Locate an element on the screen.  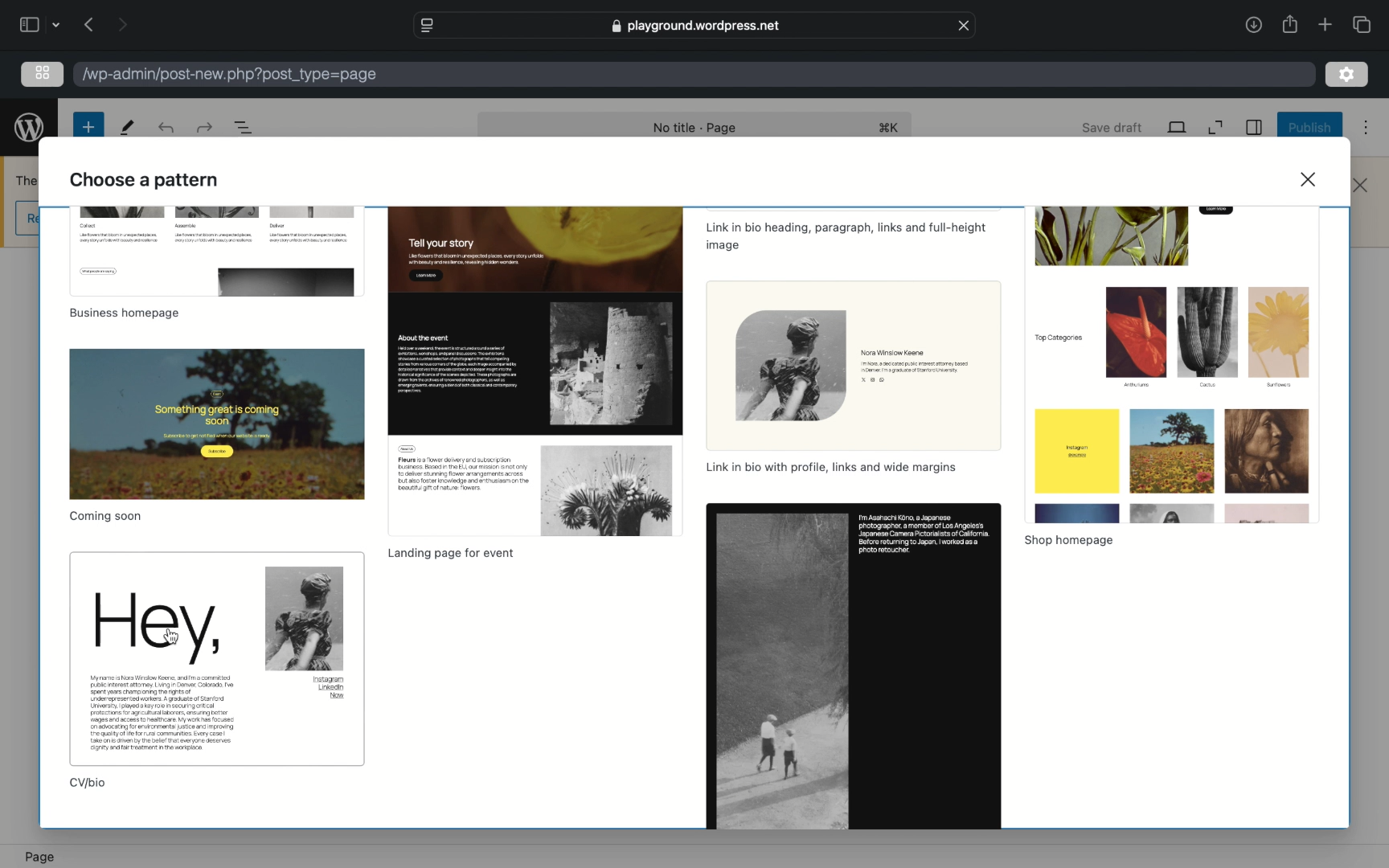
 is located at coordinates (852, 366).